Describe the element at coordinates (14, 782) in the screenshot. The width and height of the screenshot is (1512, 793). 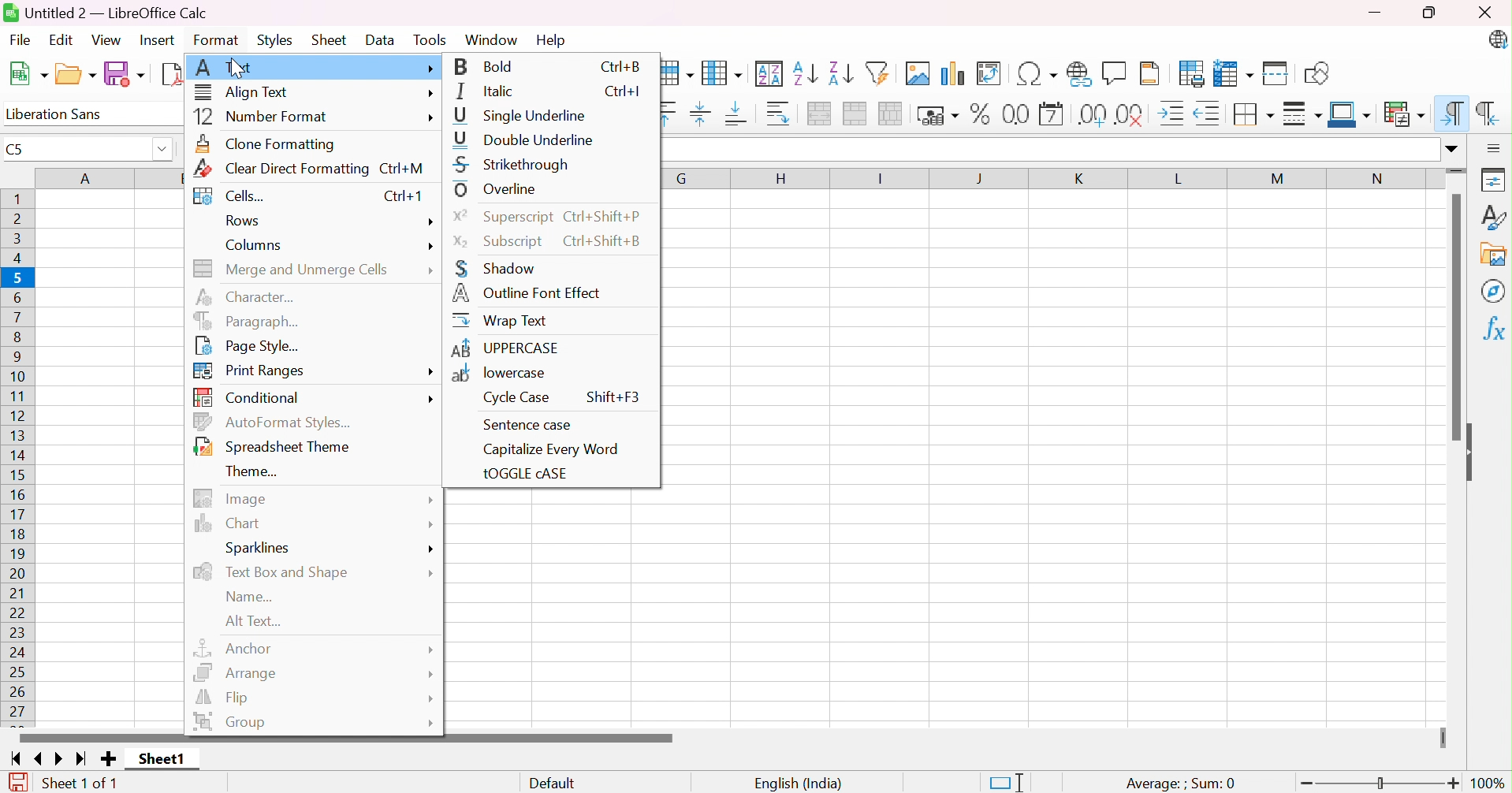
I see `The document has been modified. Click to save the document.` at that location.